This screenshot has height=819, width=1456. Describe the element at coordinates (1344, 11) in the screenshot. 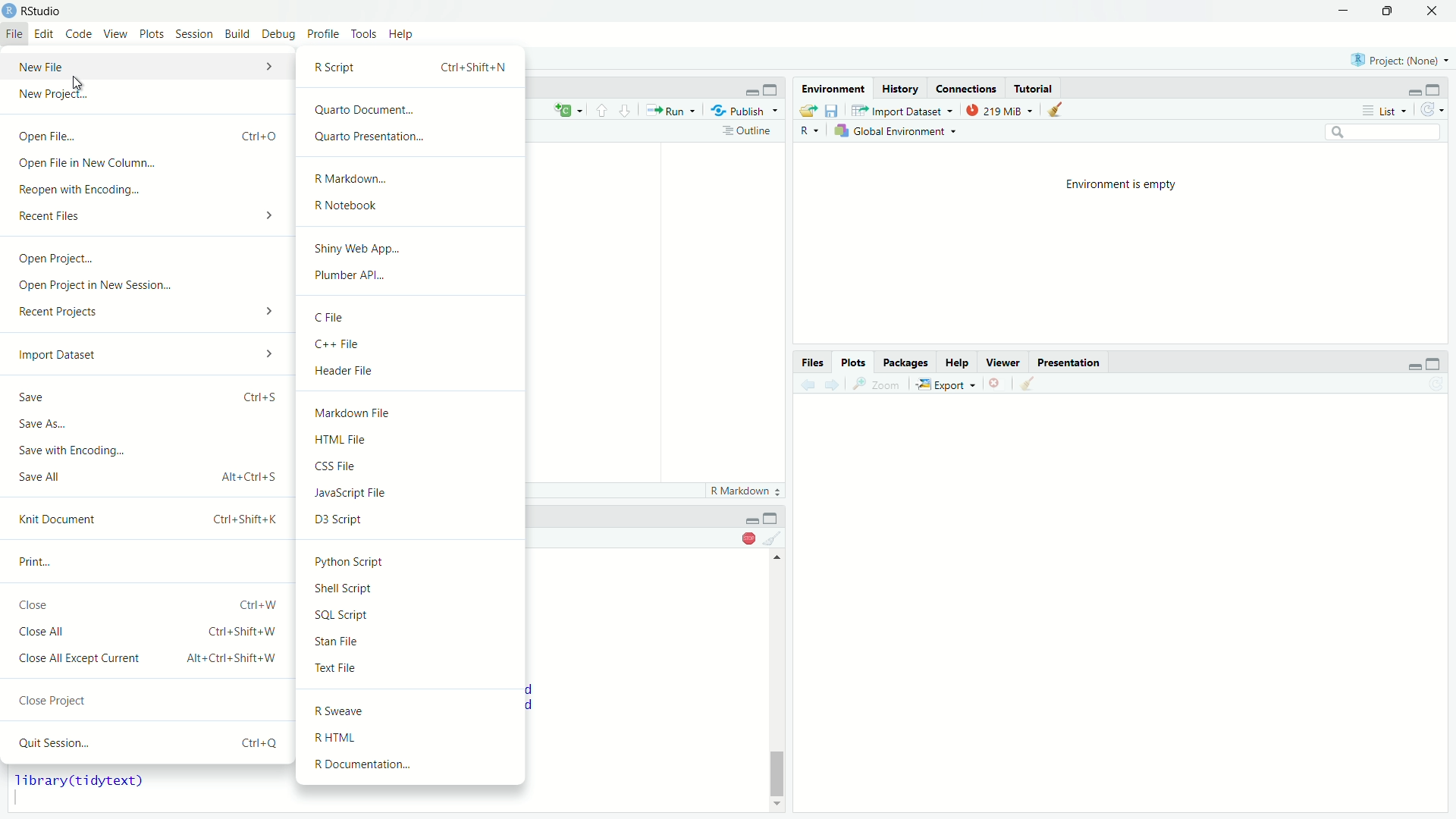

I see `Minimize` at that location.